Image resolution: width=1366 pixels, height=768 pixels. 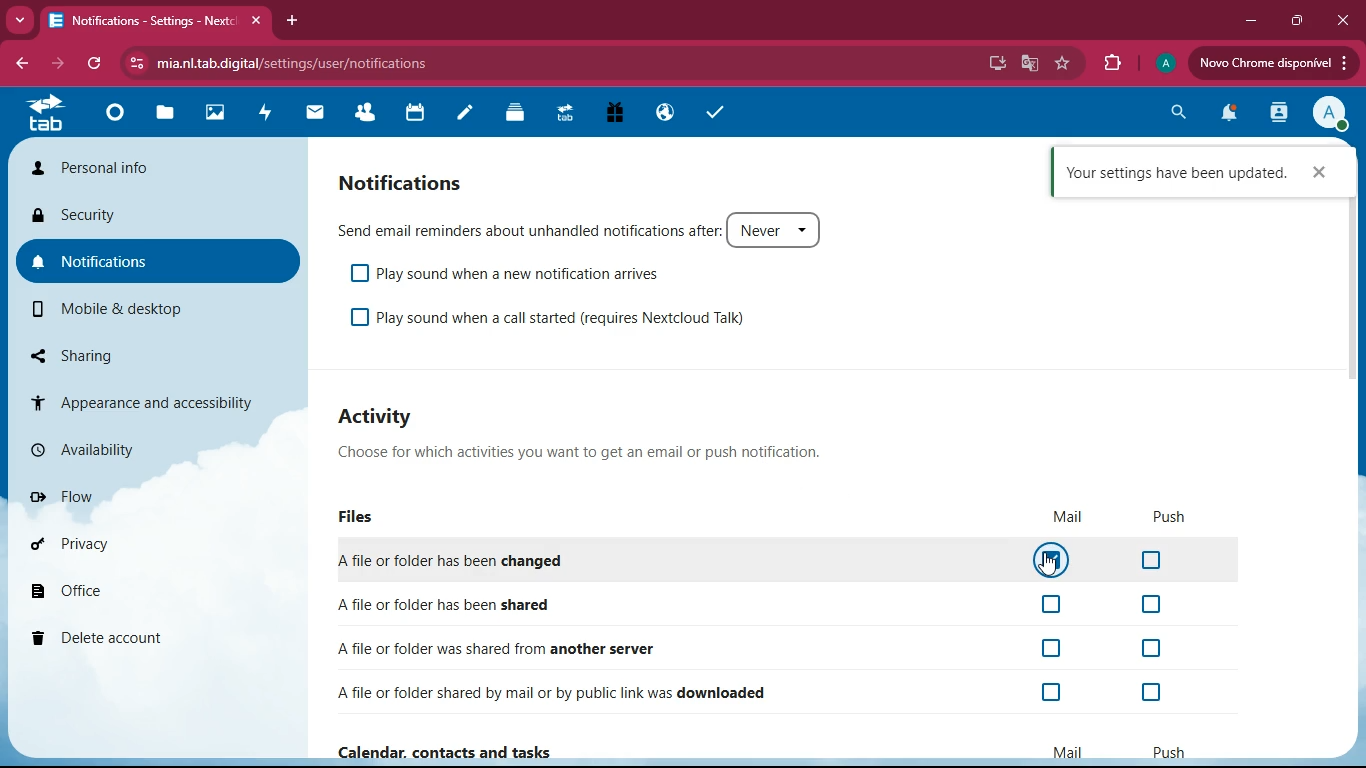 What do you see at coordinates (429, 183) in the screenshot?
I see `notifications` at bounding box center [429, 183].